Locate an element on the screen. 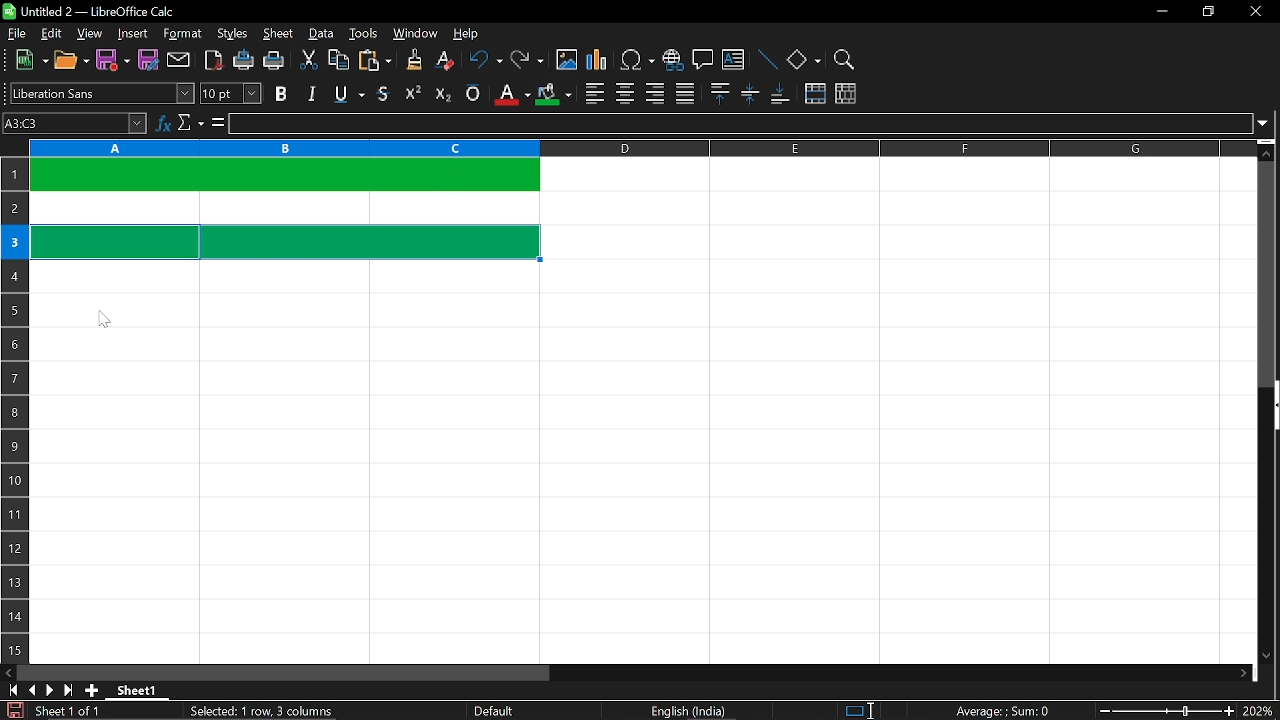  Average:;Sum: 0 is located at coordinates (1002, 710).